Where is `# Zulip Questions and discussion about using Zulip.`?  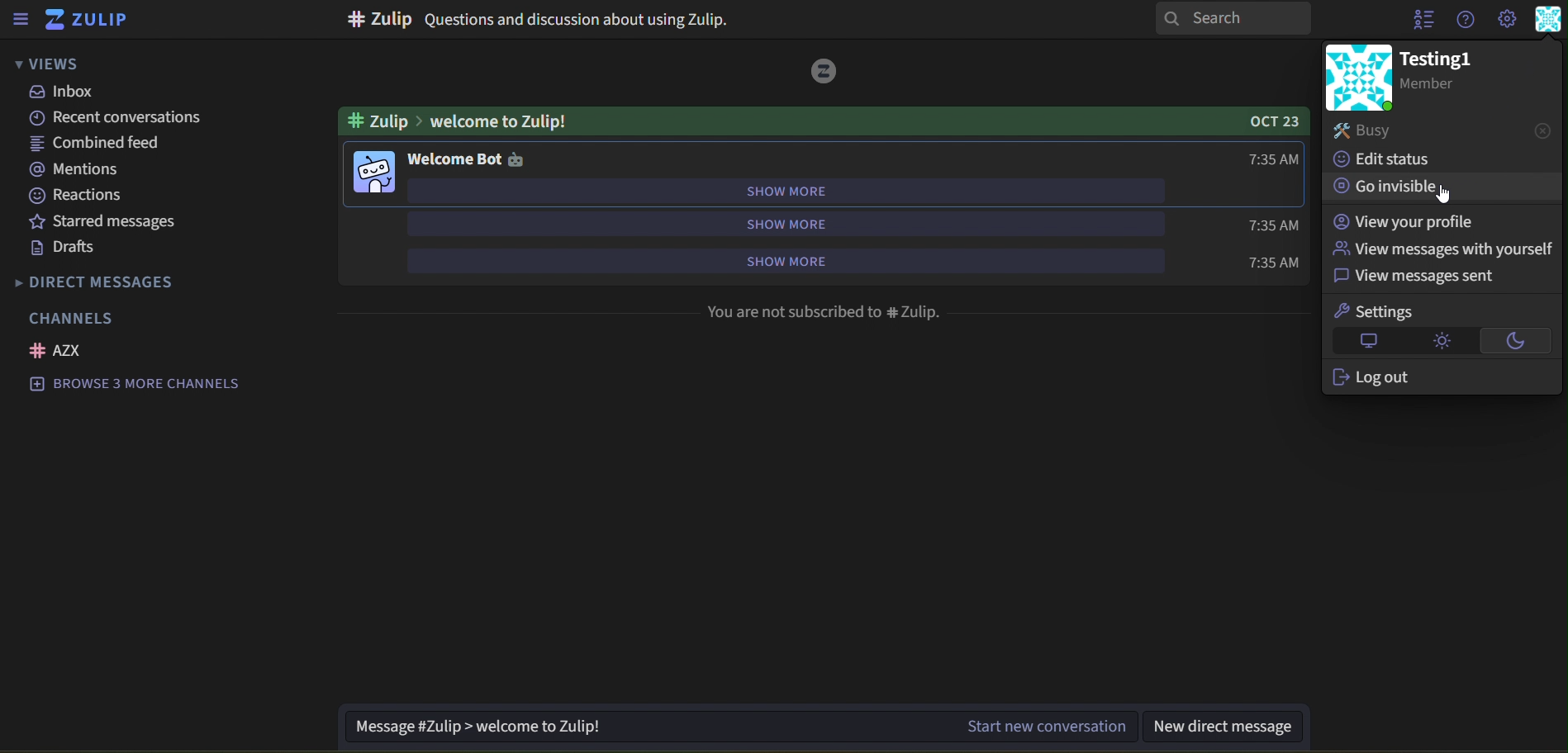
# Zulip Questions and discussion about using Zulip. is located at coordinates (535, 21).